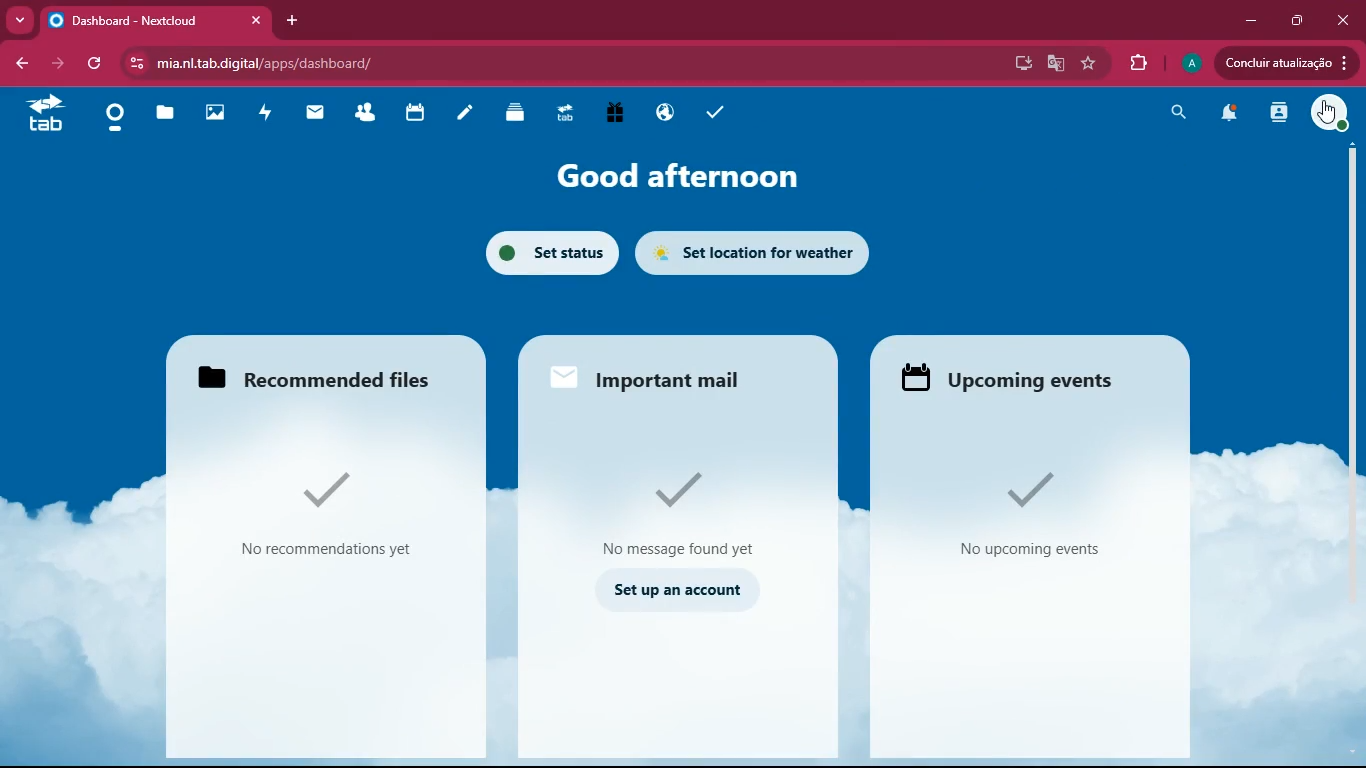 Image resolution: width=1366 pixels, height=768 pixels. What do you see at coordinates (1296, 20) in the screenshot?
I see `maximize` at bounding box center [1296, 20].